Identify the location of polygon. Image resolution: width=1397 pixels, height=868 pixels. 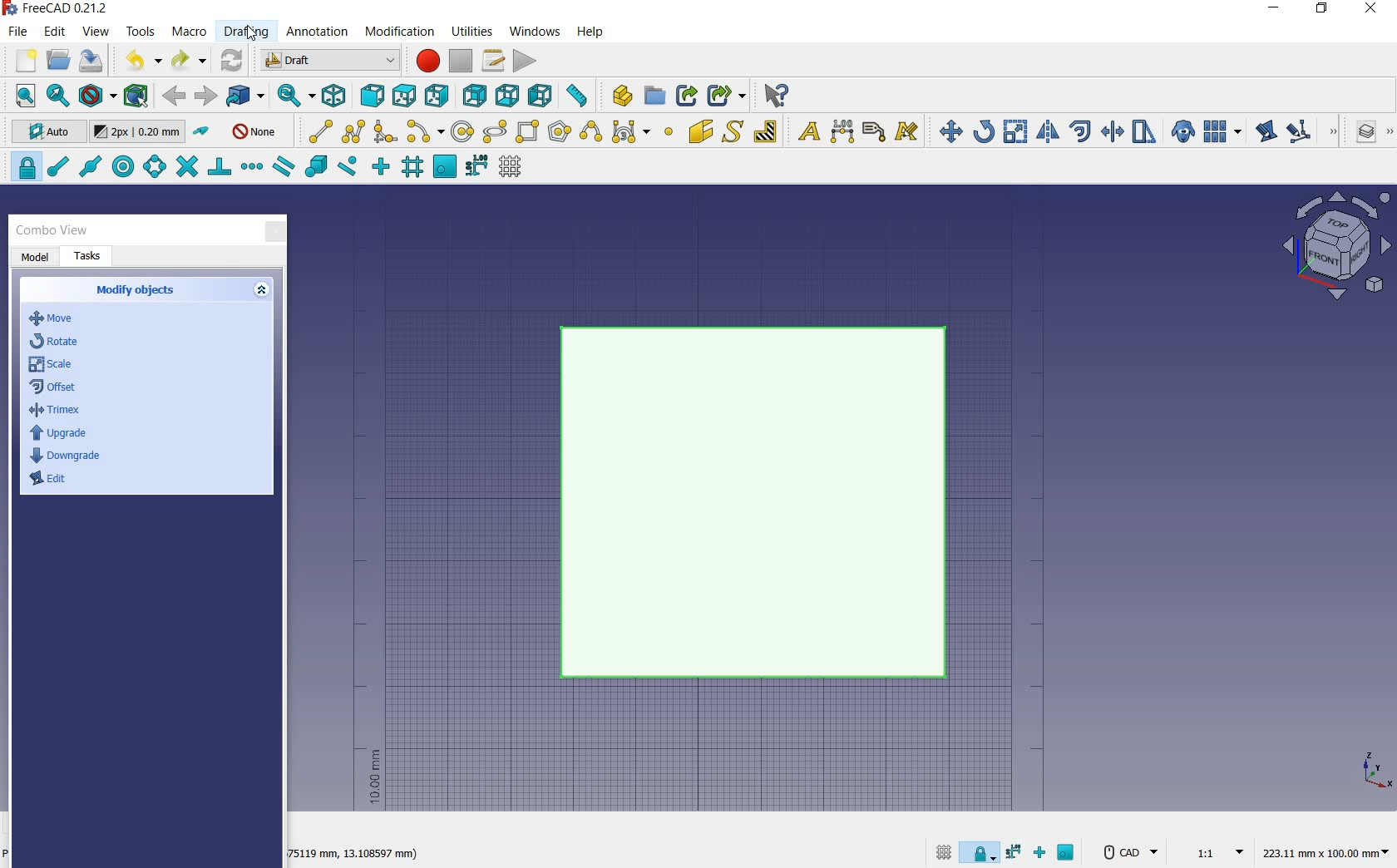
(560, 131).